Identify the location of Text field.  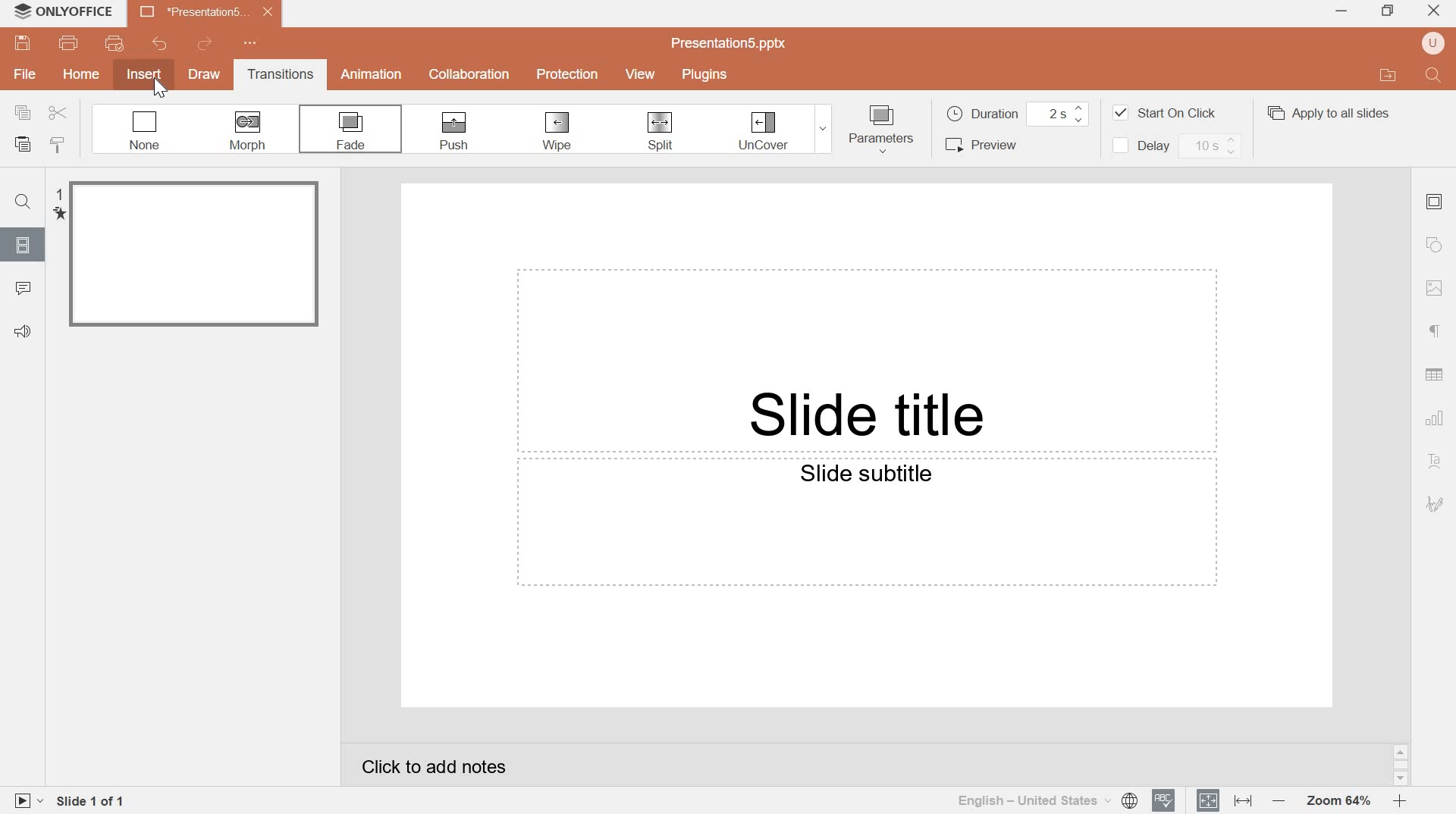
(866, 360).